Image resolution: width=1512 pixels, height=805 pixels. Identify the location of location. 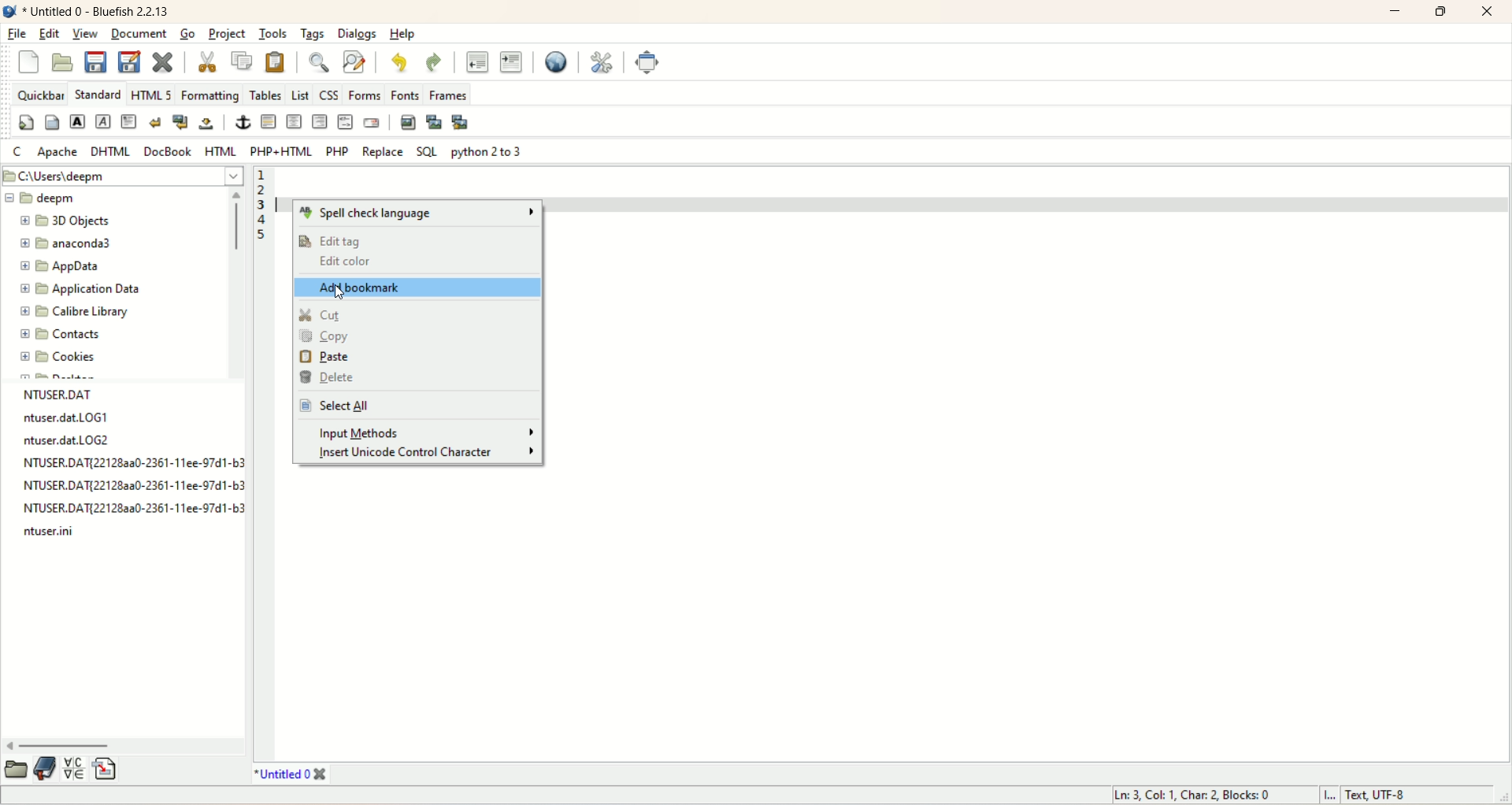
(121, 176).